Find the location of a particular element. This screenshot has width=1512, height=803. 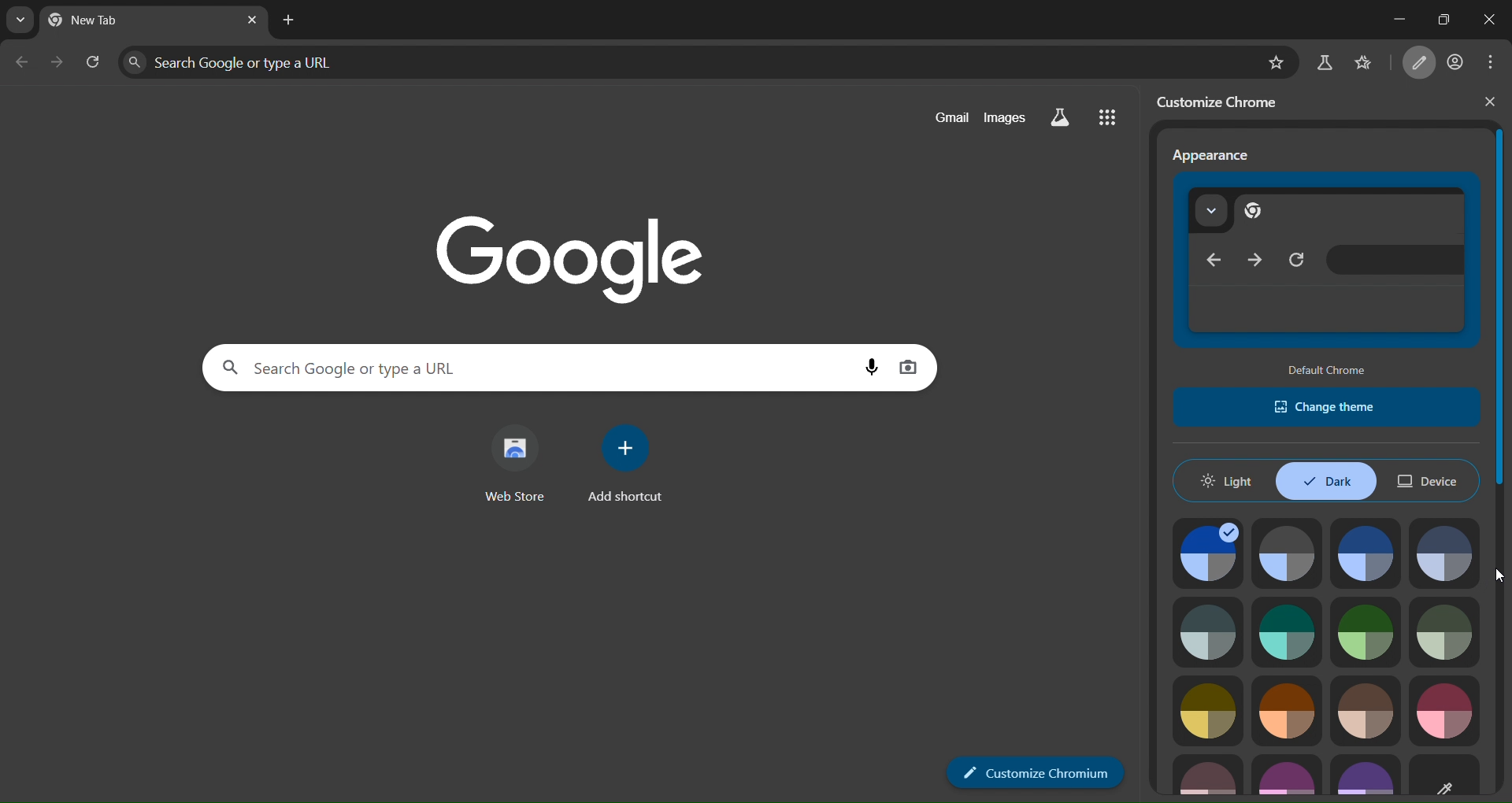

current tab is located at coordinates (113, 21).